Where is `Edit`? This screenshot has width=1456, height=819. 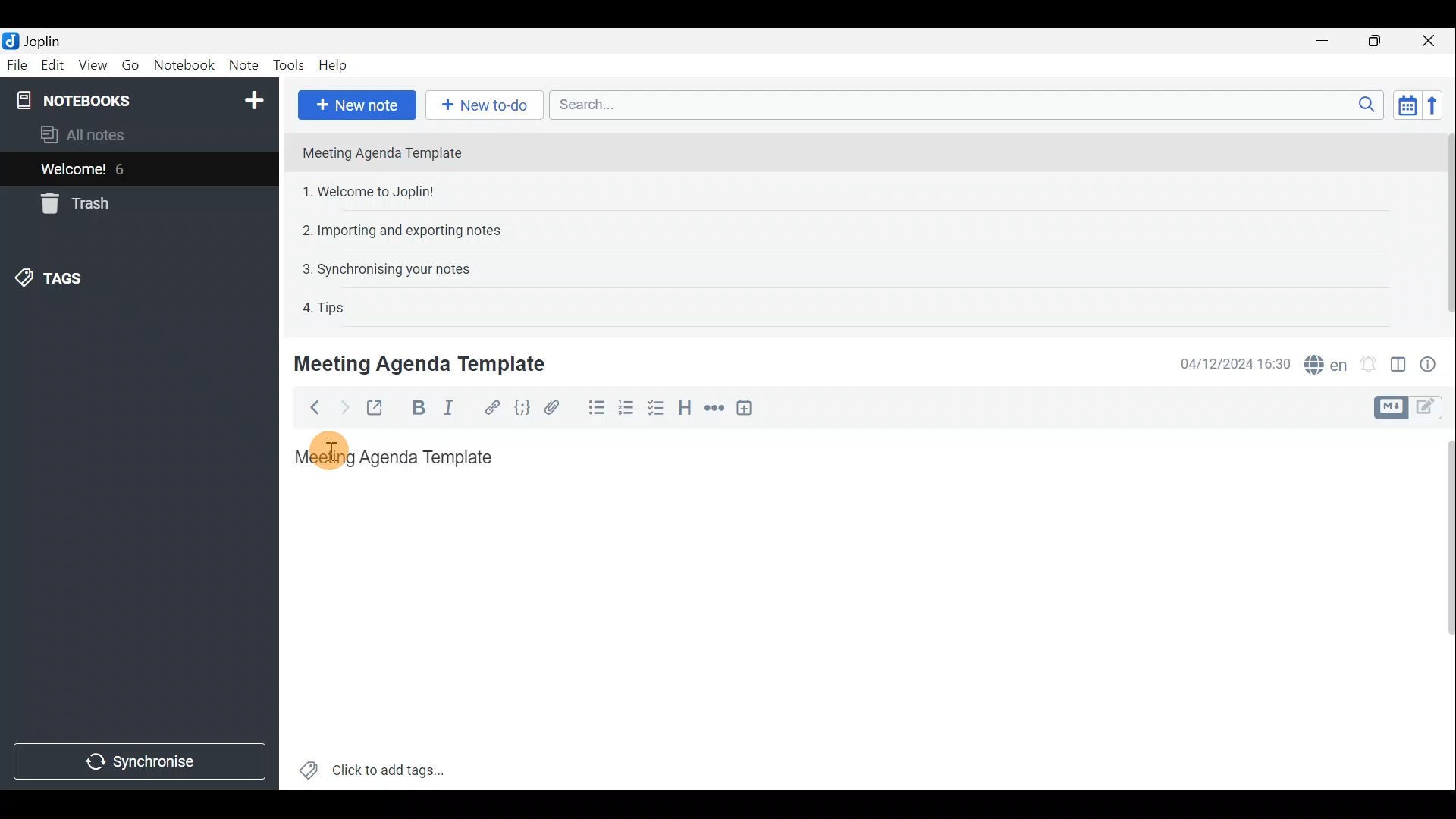 Edit is located at coordinates (53, 66).